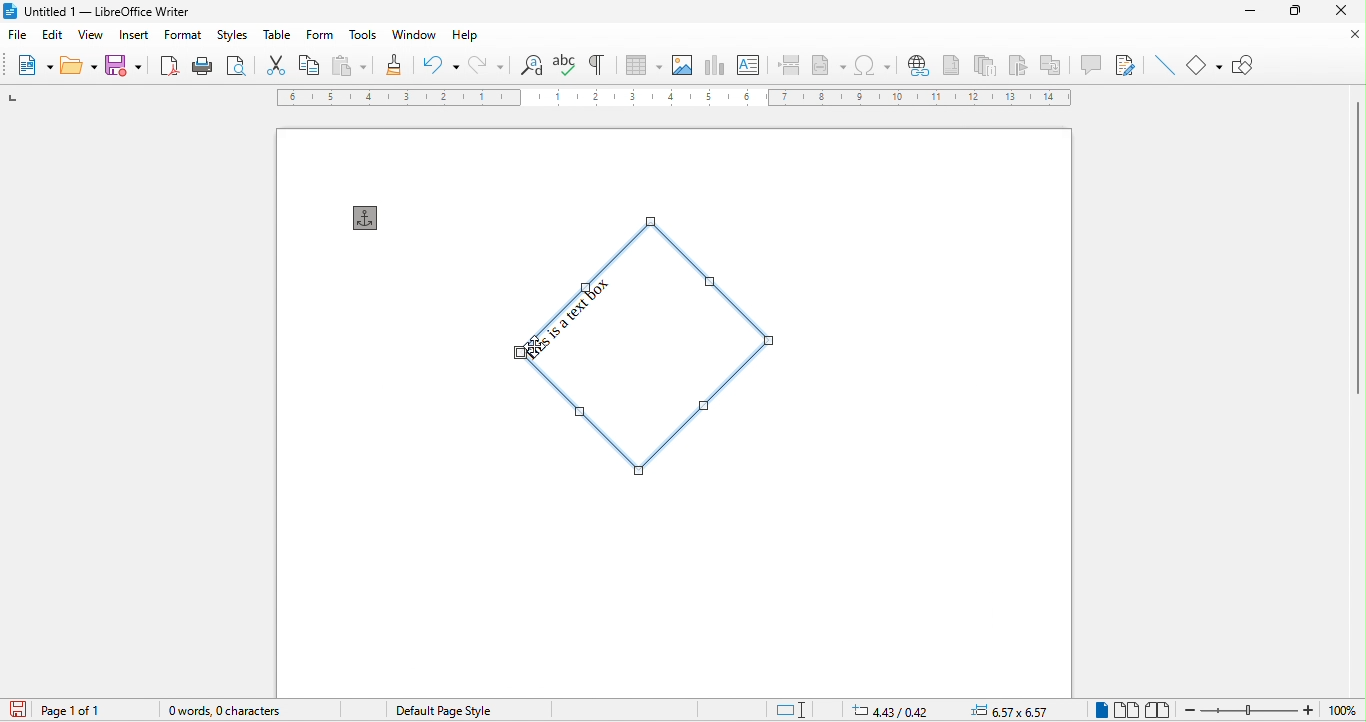 This screenshot has width=1366, height=722. I want to click on Rotated the text box by 45 degree, so click(654, 349).